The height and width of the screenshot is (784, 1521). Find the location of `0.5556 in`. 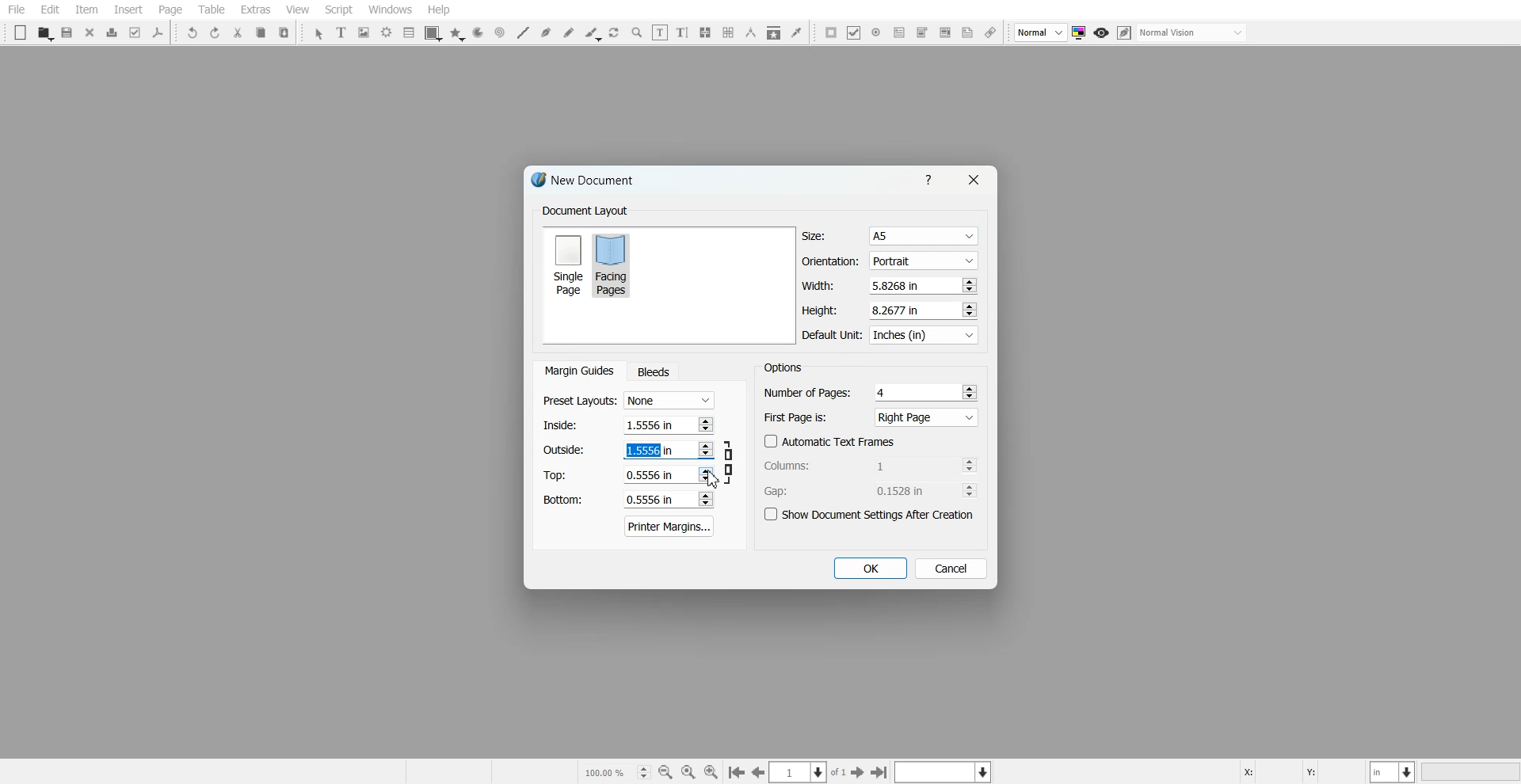

0.5556 in is located at coordinates (650, 475).